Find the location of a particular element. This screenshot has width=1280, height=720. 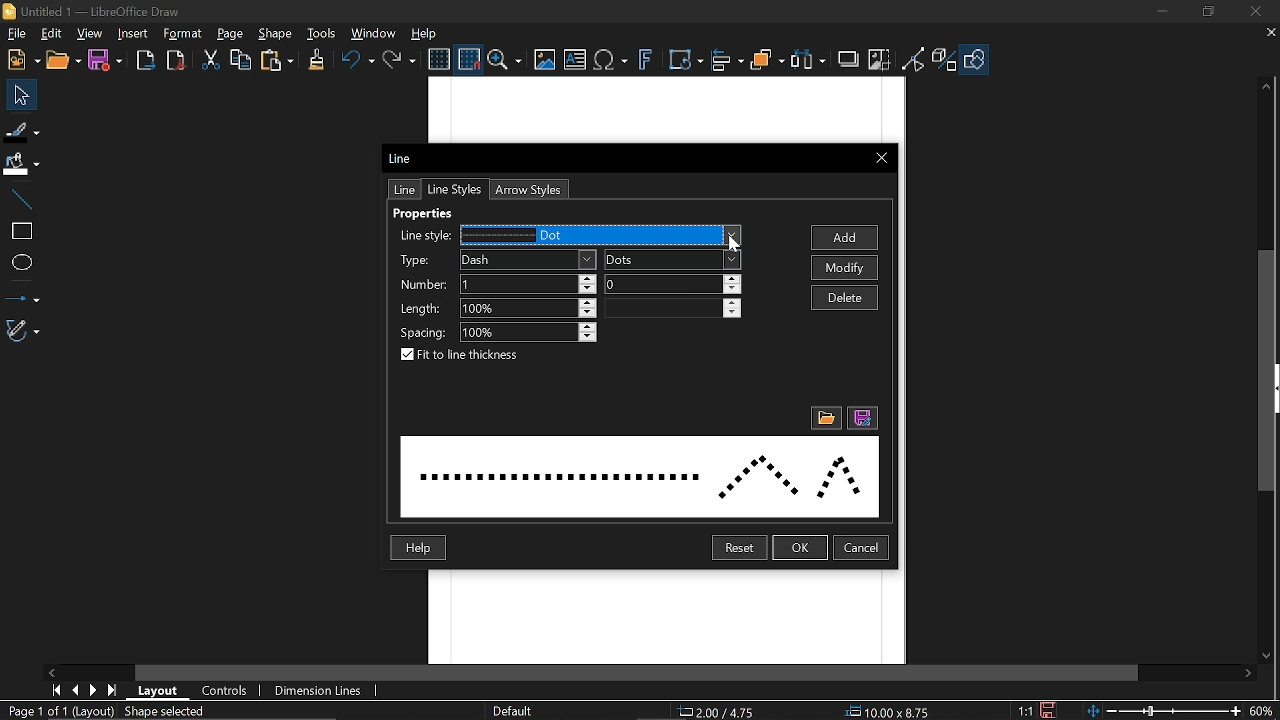

Toggle extrusion is located at coordinates (945, 61).